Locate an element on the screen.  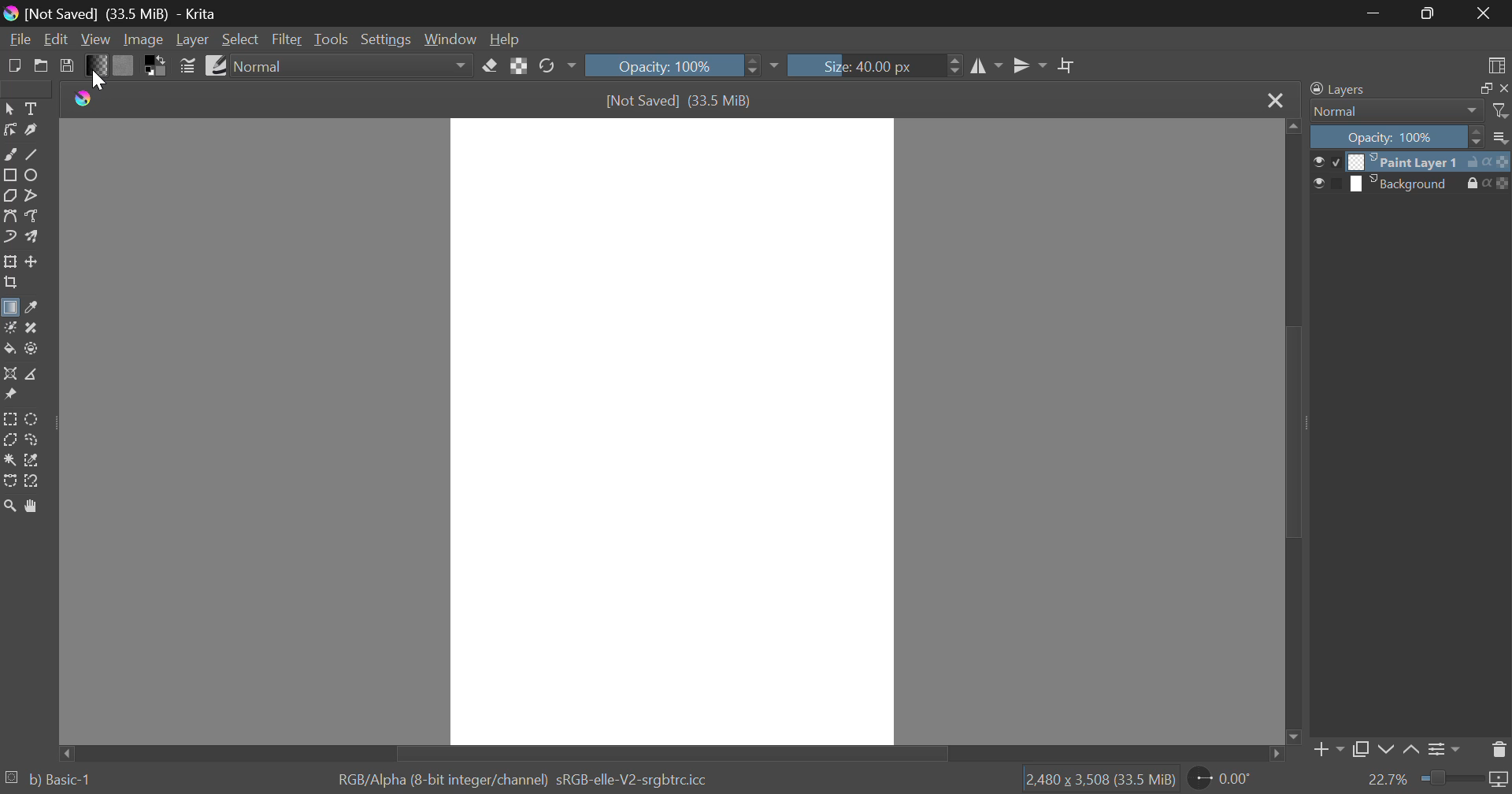
Document Workspace is located at coordinates (672, 430).